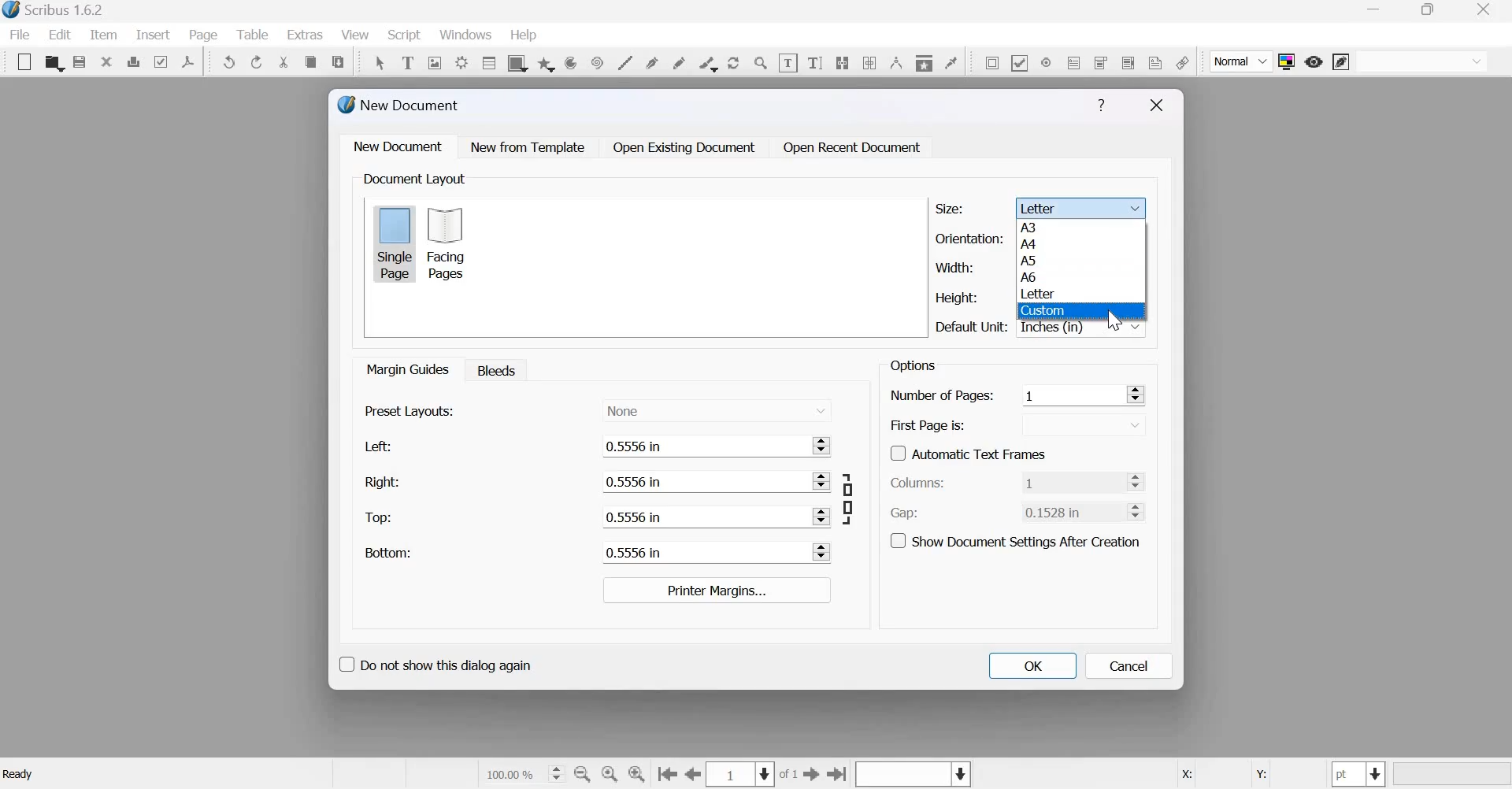  What do you see at coordinates (570, 62) in the screenshot?
I see `arc` at bounding box center [570, 62].